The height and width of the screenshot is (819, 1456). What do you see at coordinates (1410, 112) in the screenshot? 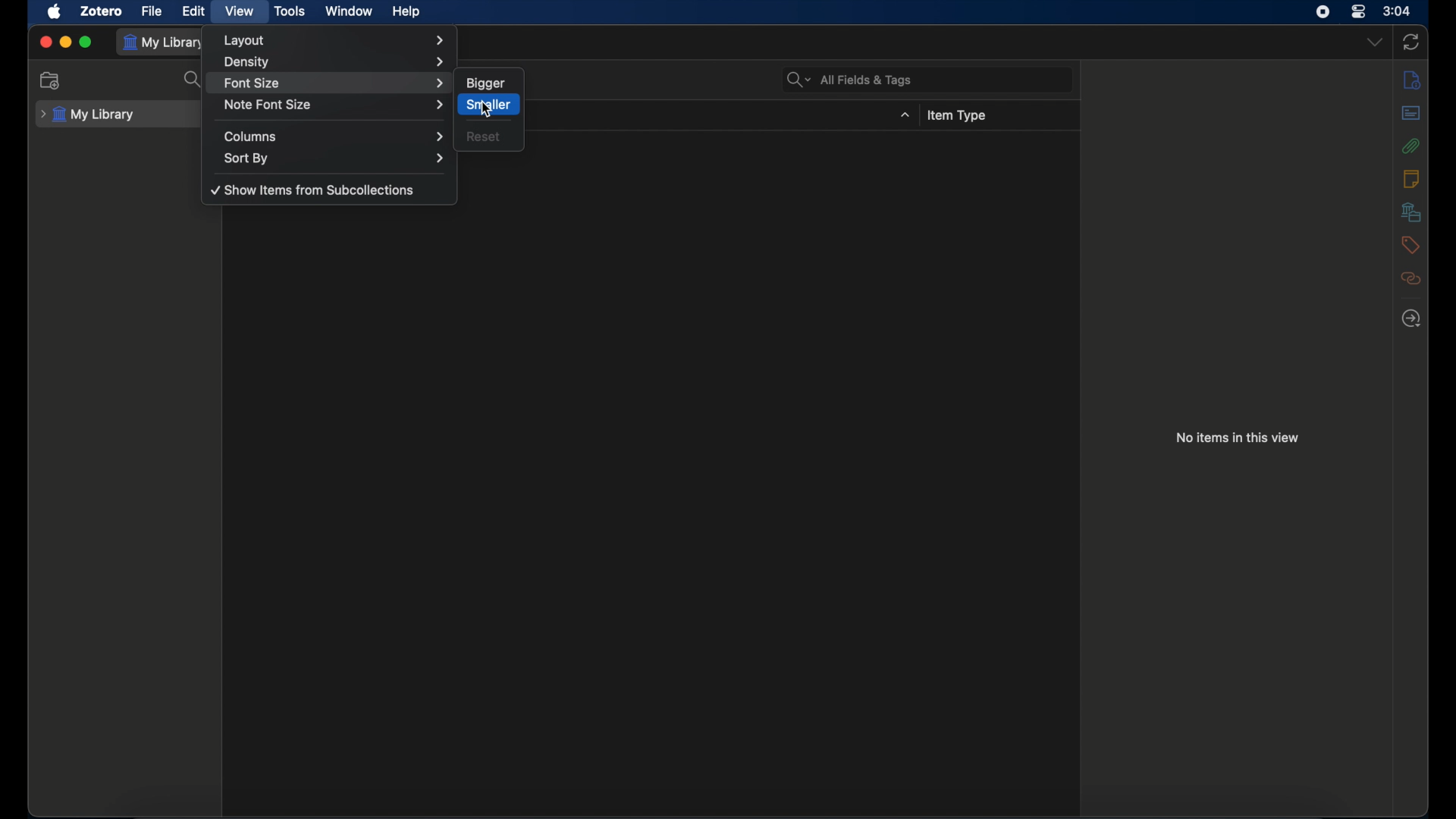
I see `abstract` at bounding box center [1410, 112].